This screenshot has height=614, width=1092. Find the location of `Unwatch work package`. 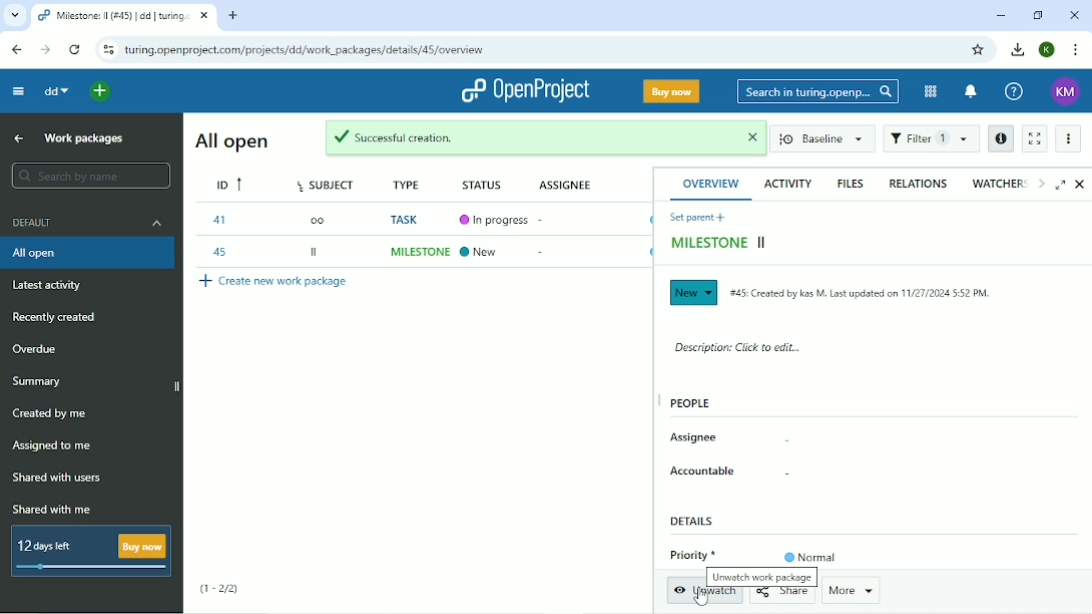

Unwatch work package is located at coordinates (760, 577).